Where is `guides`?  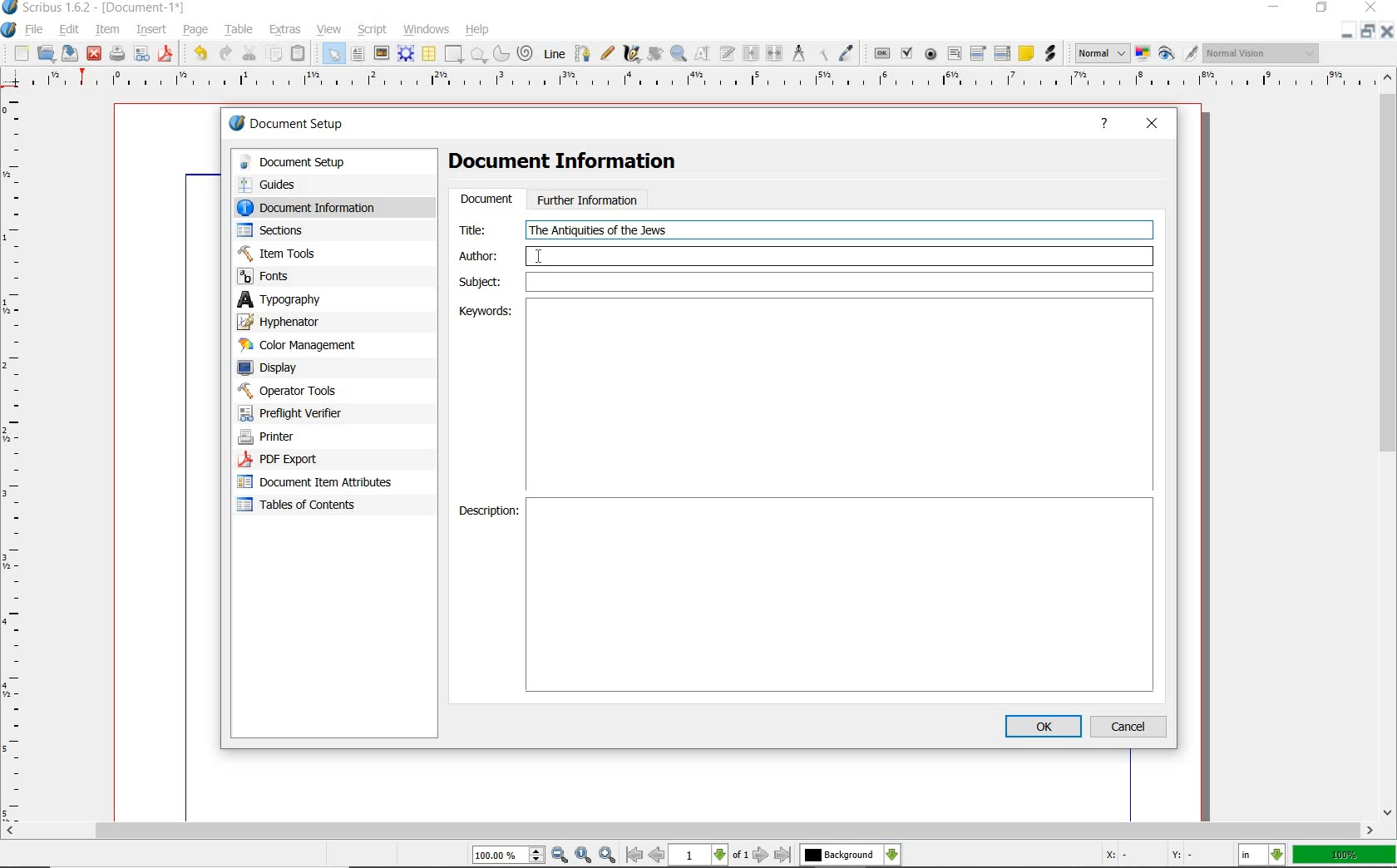 guides is located at coordinates (318, 184).